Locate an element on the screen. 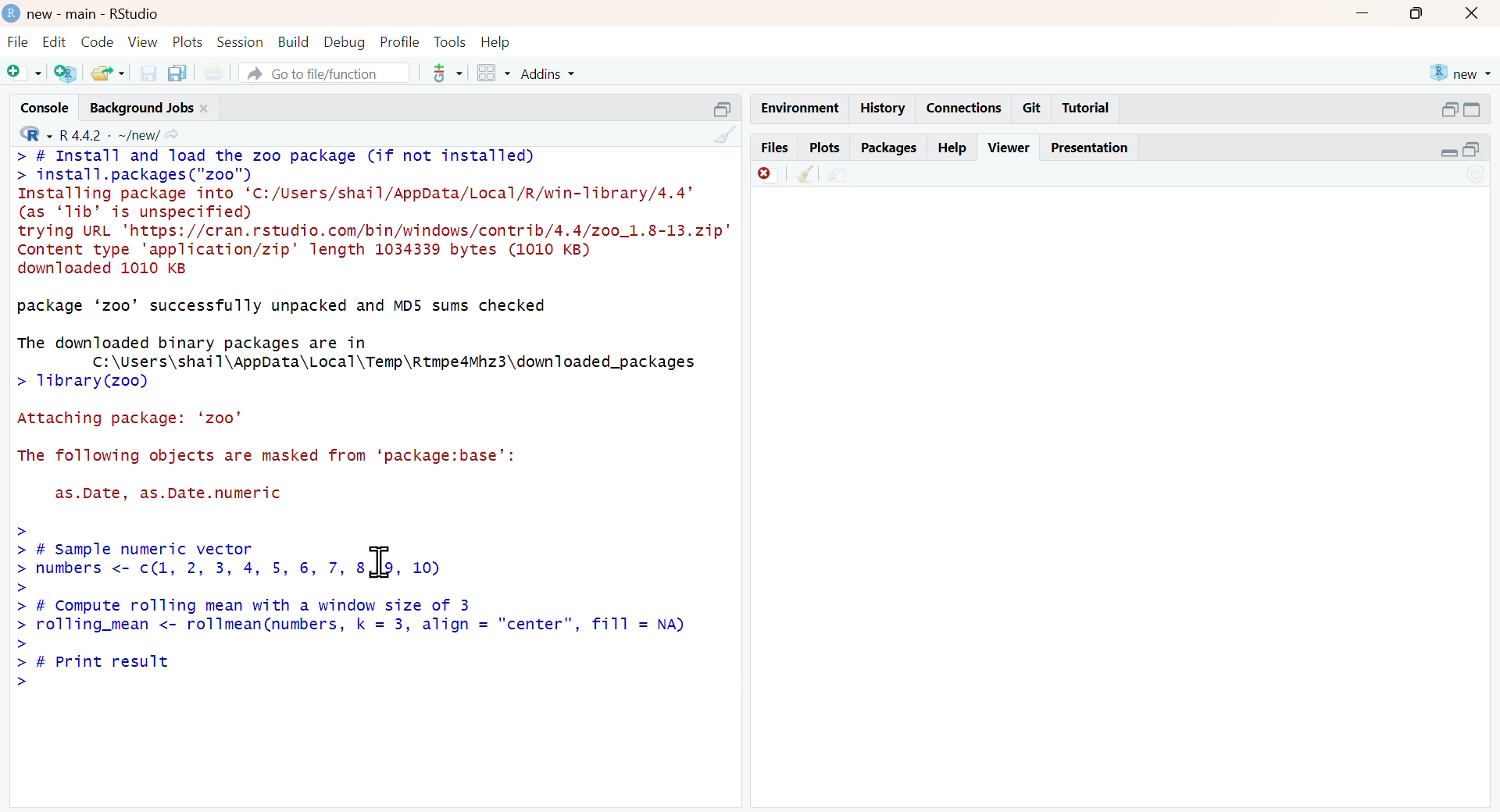 Image resolution: width=1500 pixels, height=812 pixels. open in separate window is located at coordinates (1450, 109).